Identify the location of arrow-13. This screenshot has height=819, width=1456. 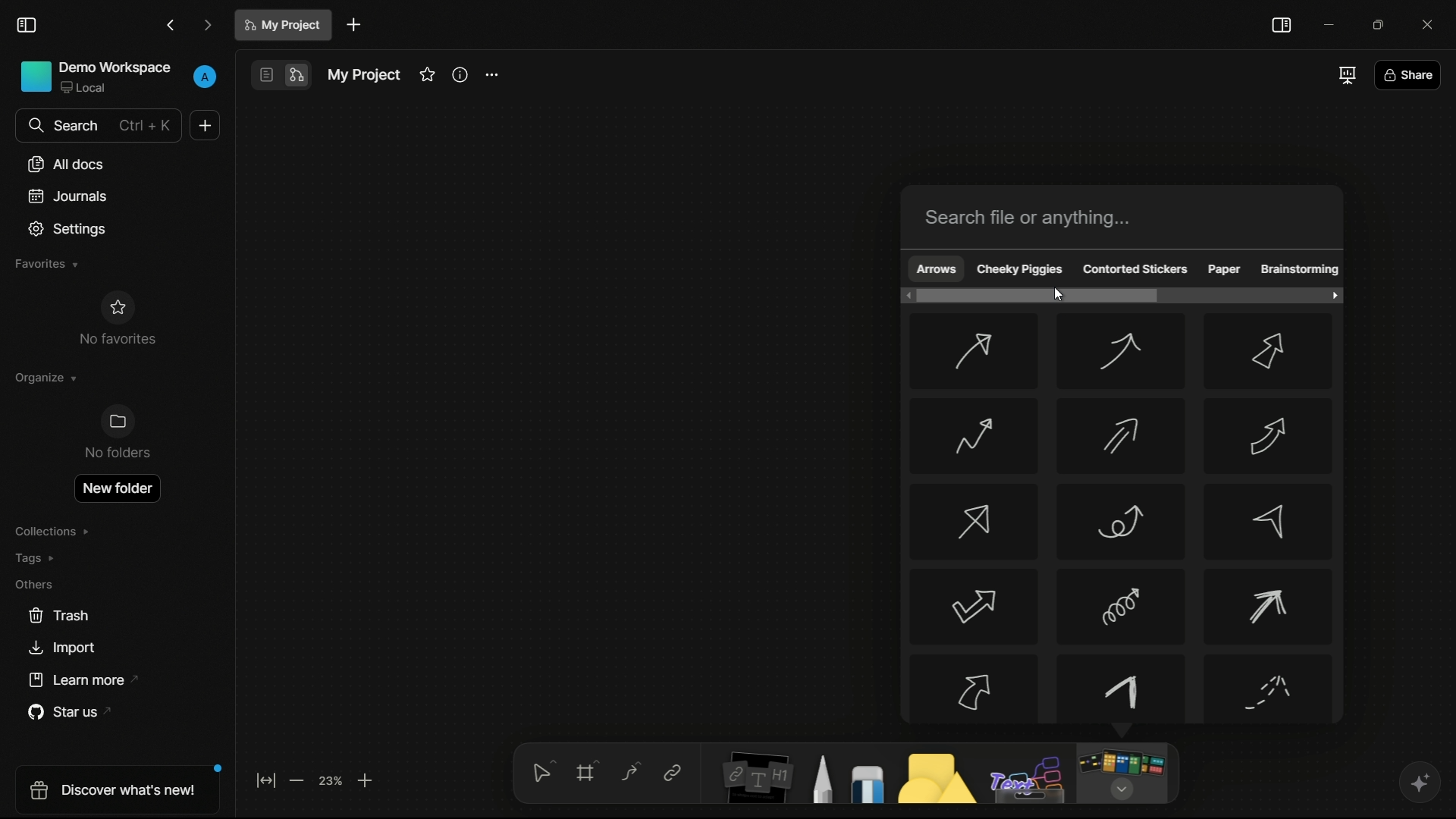
(973, 688).